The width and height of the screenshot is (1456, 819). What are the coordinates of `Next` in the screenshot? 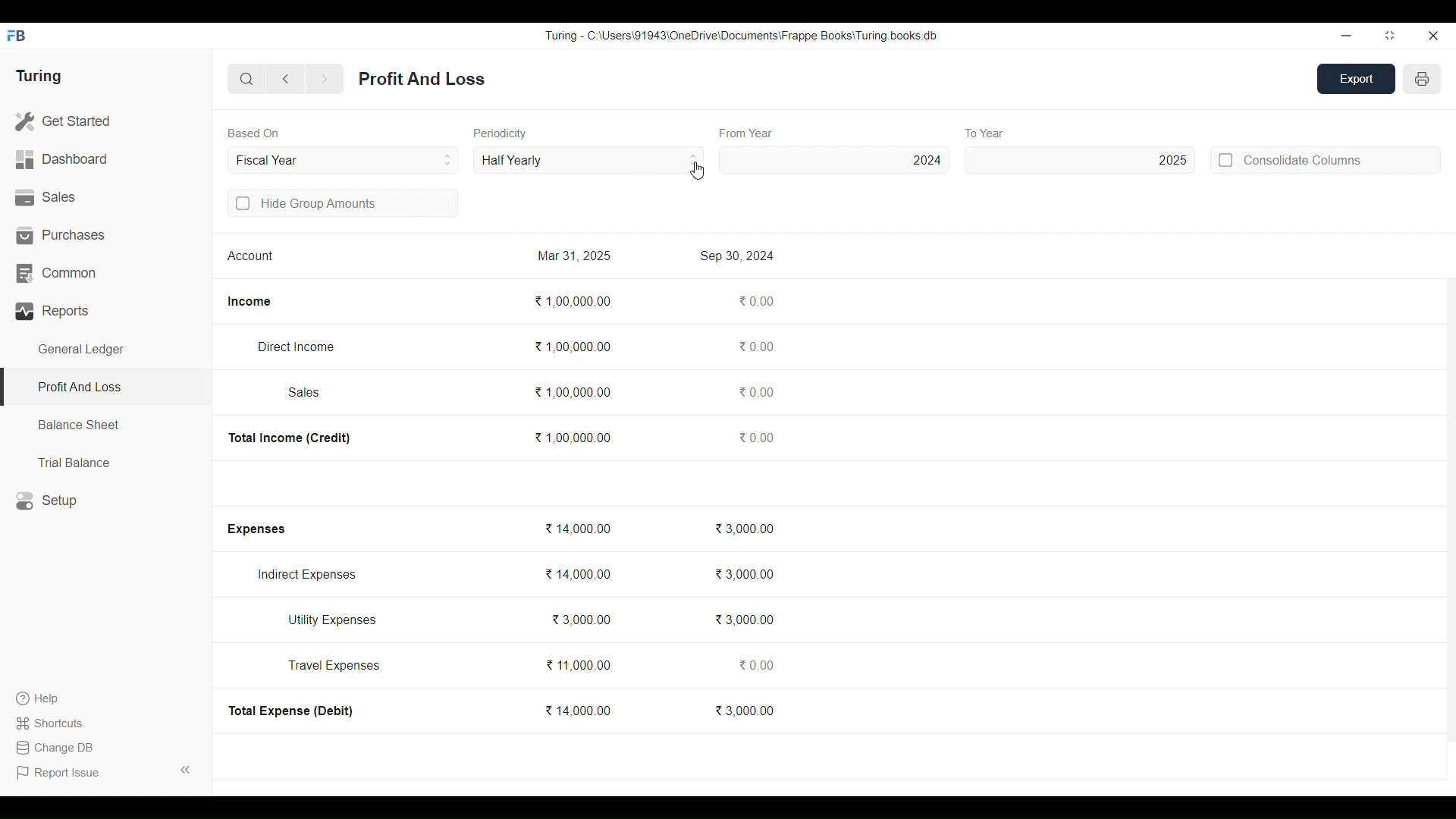 It's located at (325, 80).